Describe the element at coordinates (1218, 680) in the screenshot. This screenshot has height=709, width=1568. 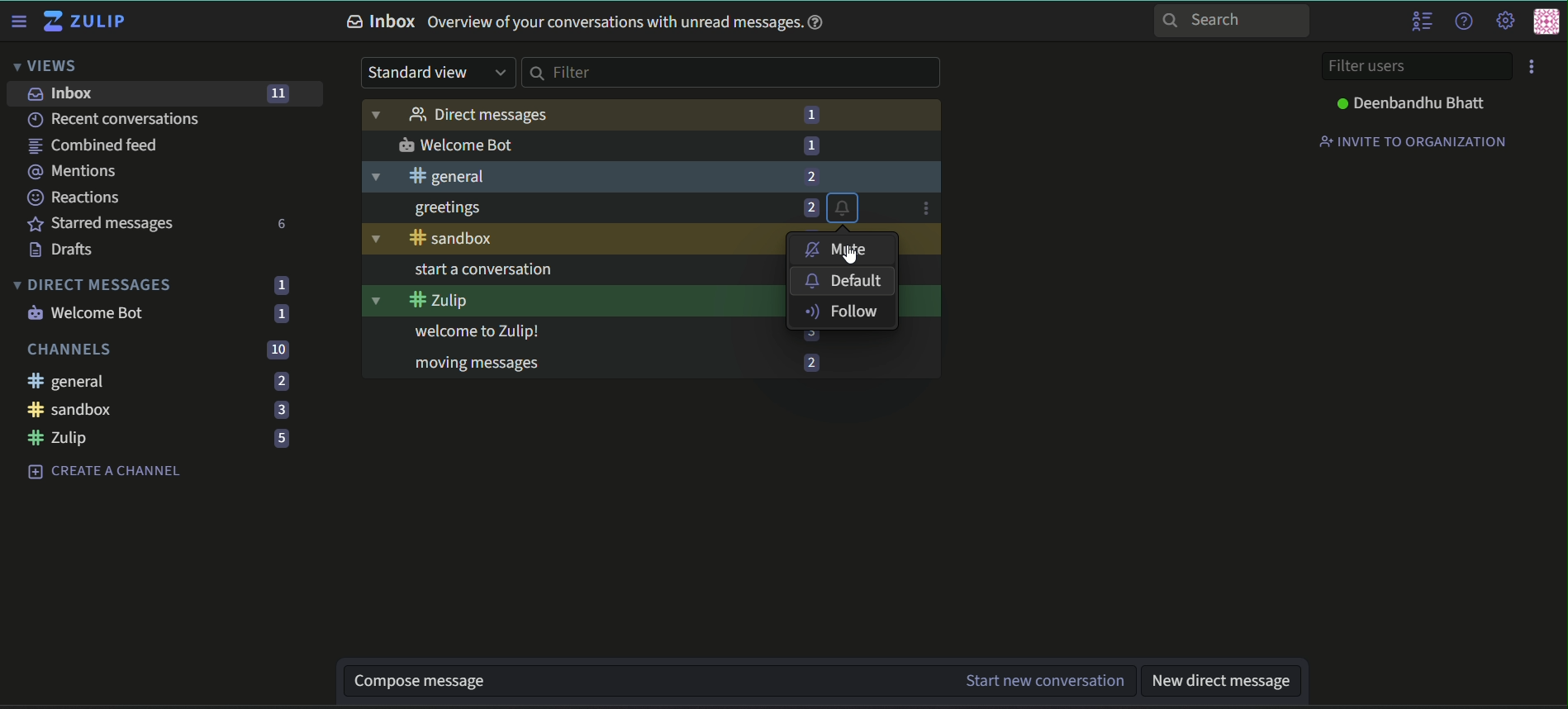
I see `new direct message` at that location.